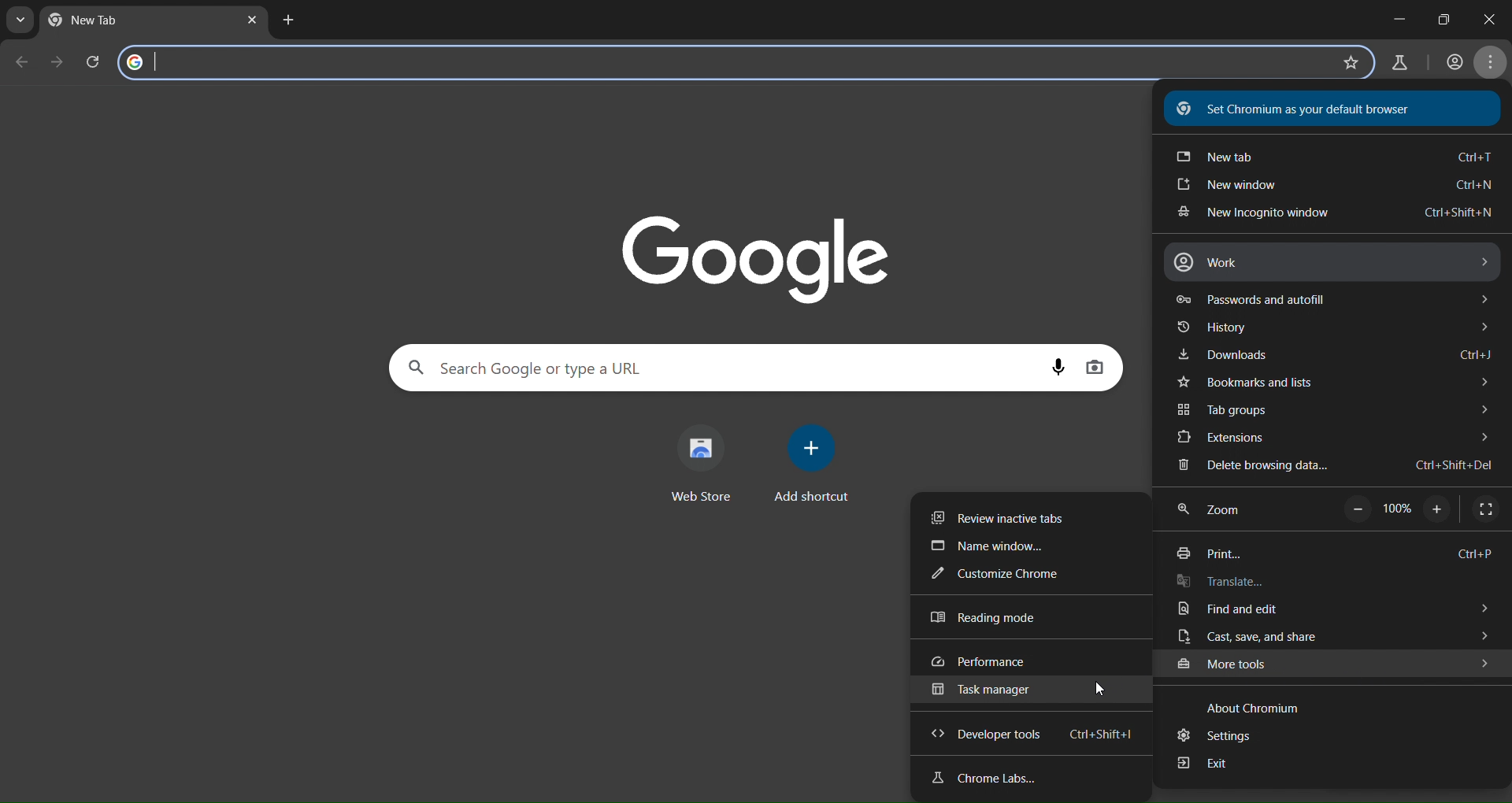 This screenshot has width=1512, height=803. I want to click on search tab, so click(21, 23).